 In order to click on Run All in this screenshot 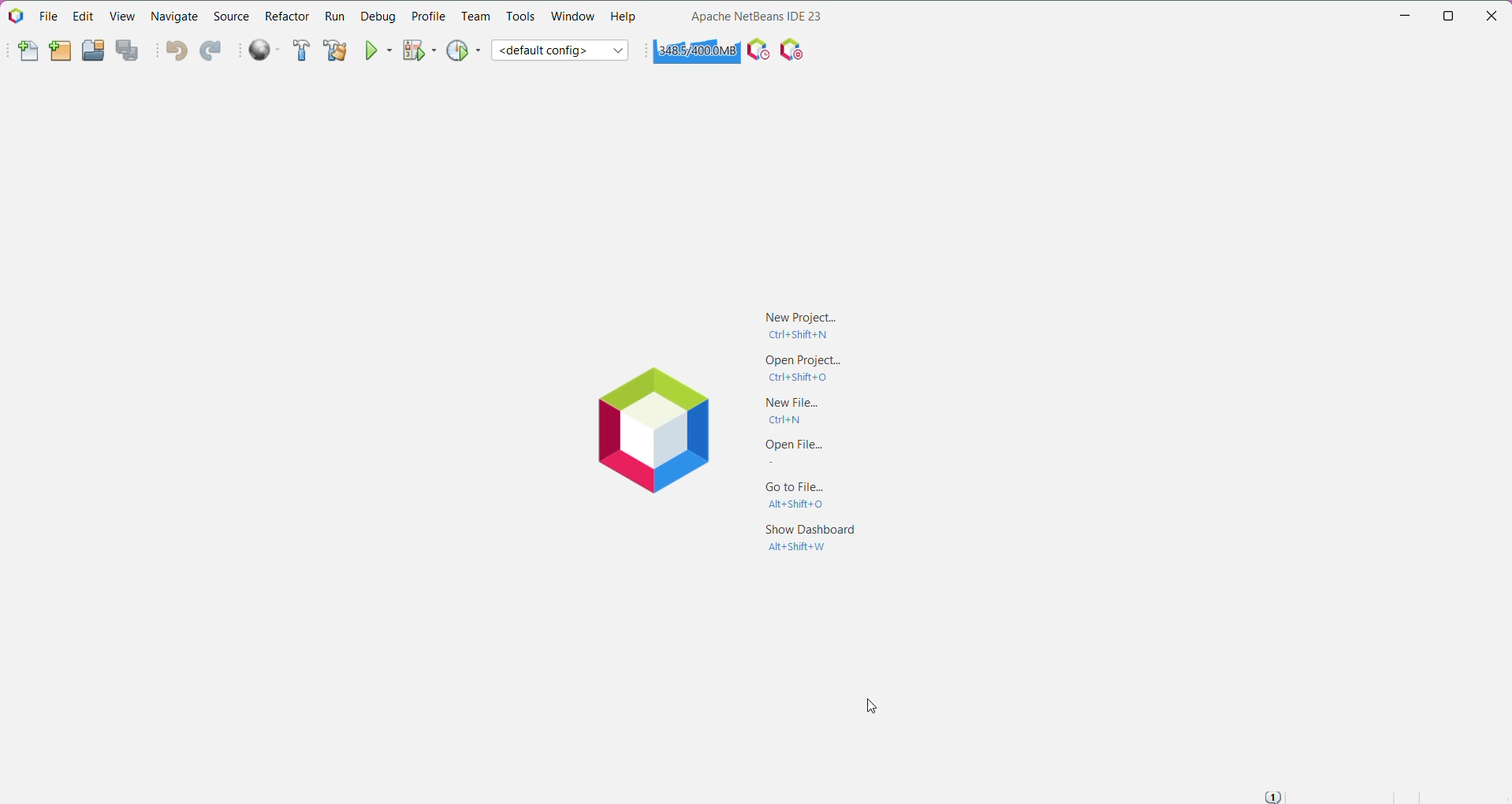, I will do `click(266, 50)`.